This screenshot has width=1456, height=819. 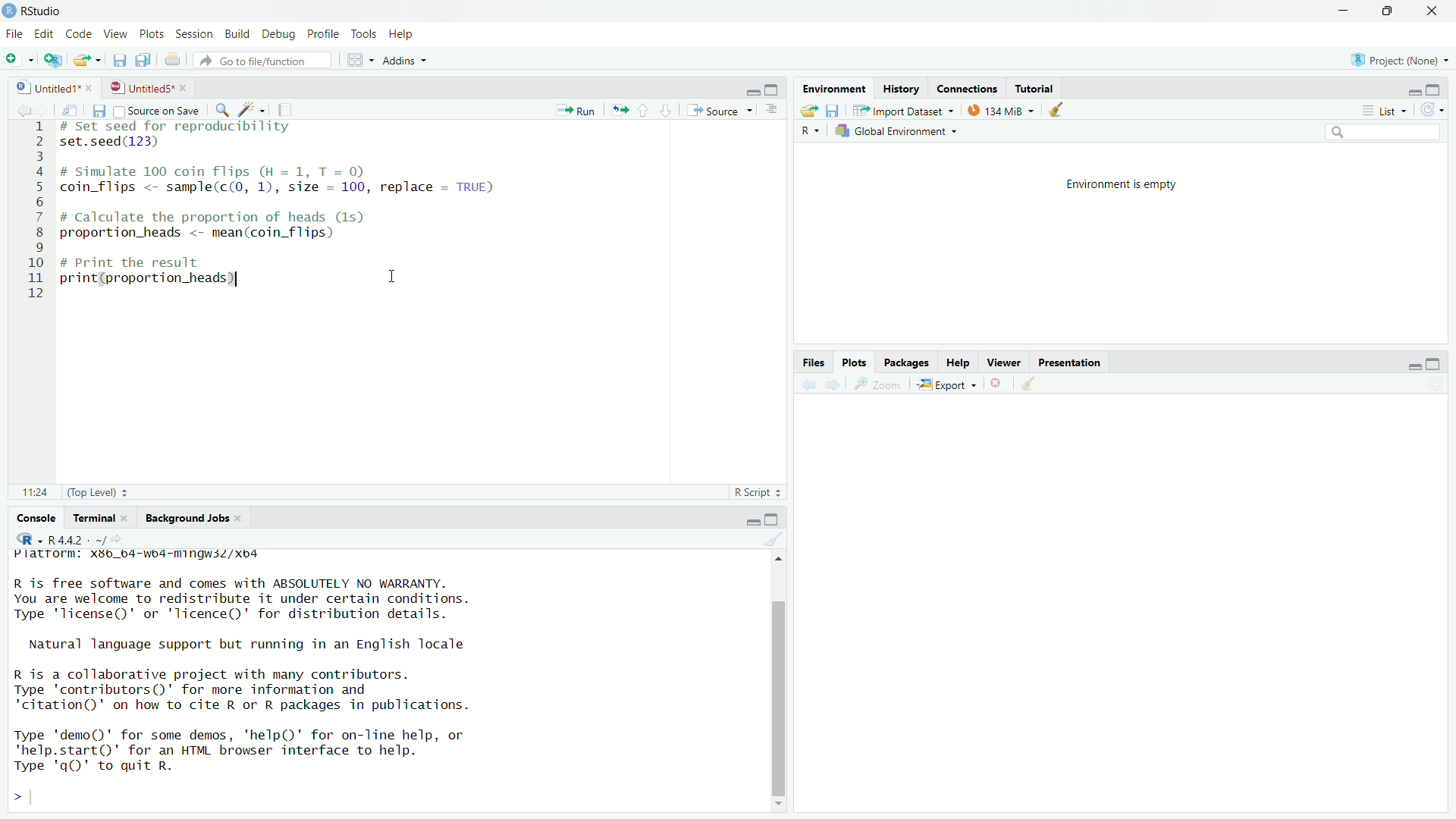 I want to click on refresh, so click(x=1439, y=110).